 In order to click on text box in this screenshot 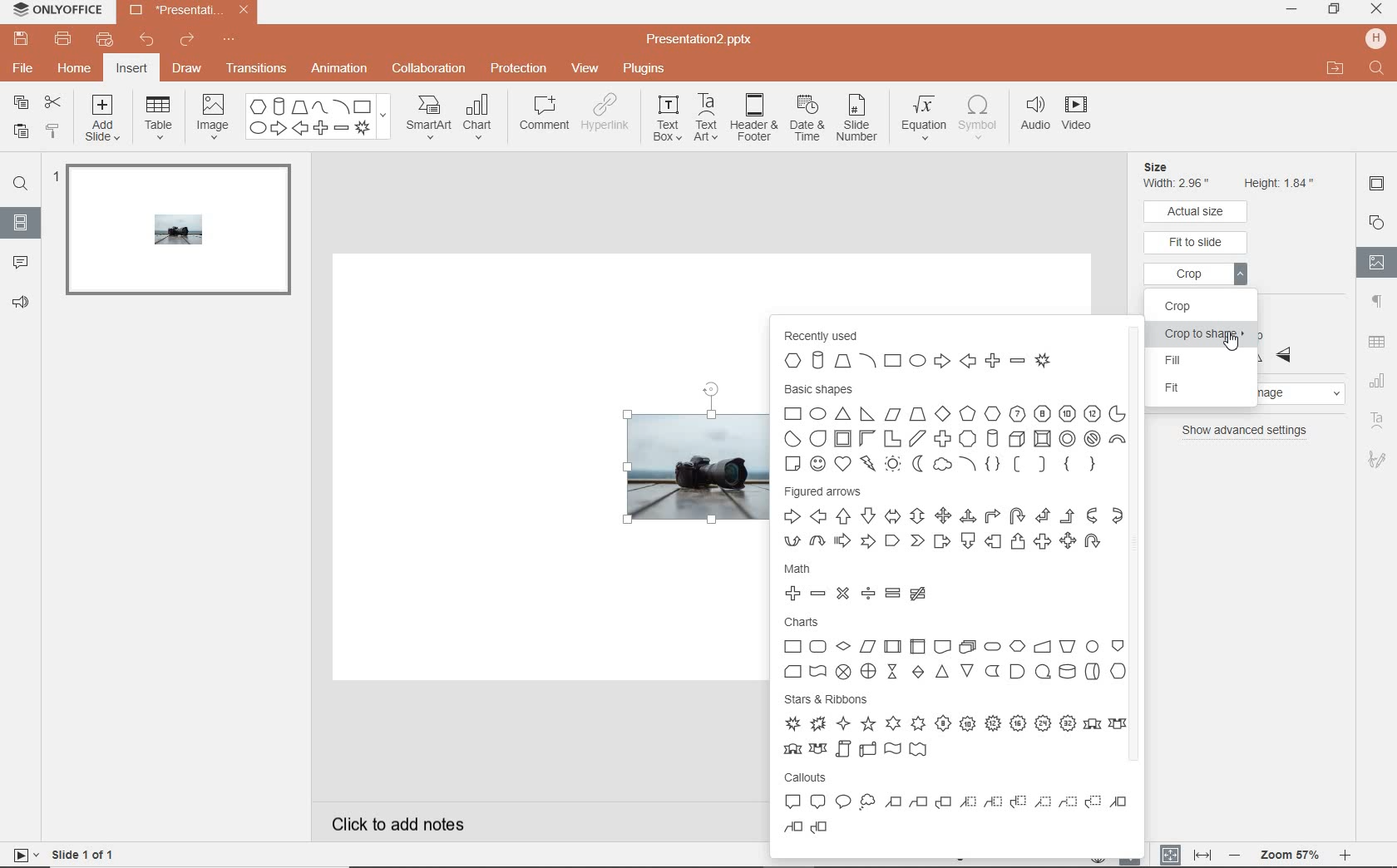, I will do `click(667, 121)`.